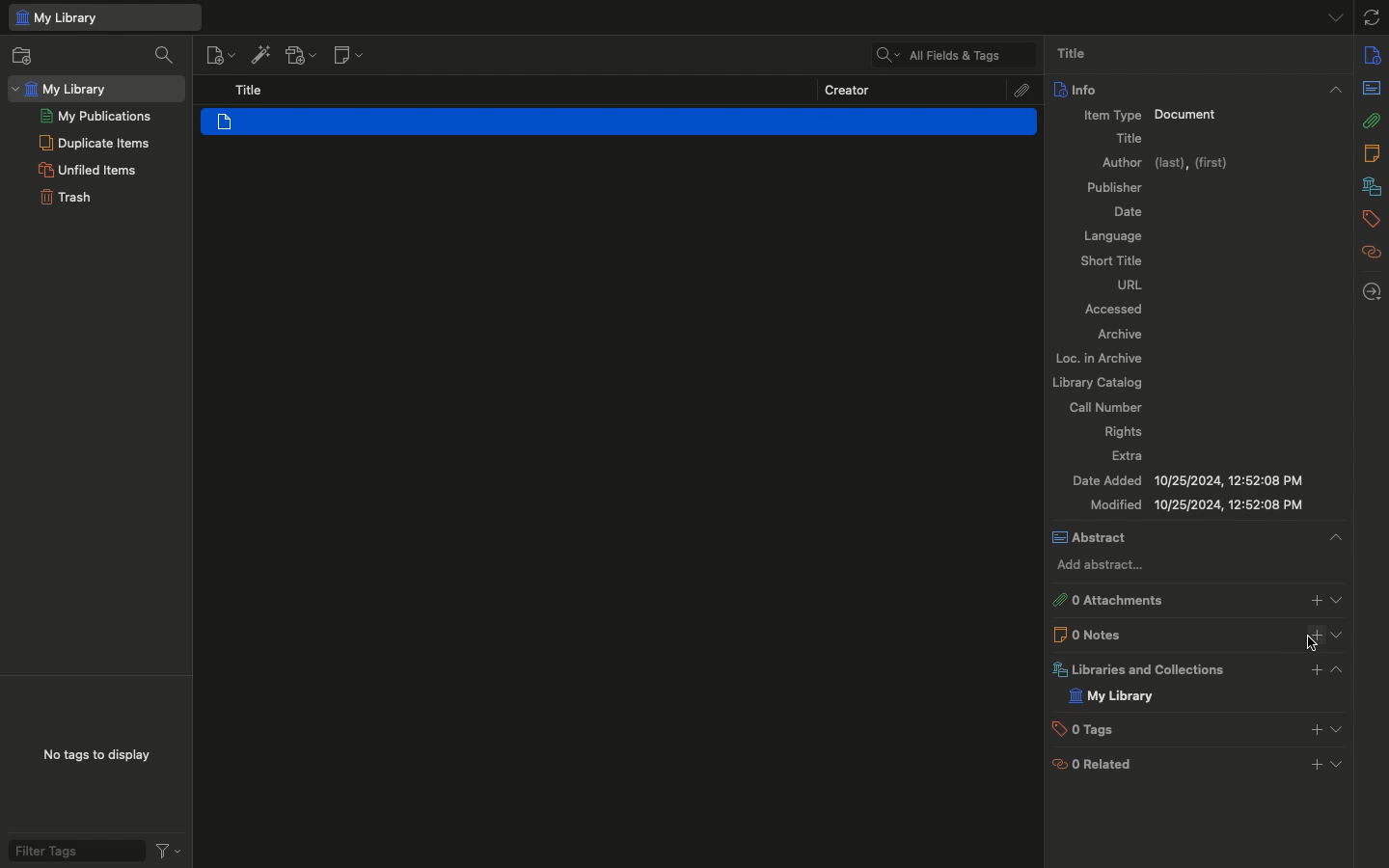 Image resolution: width=1389 pixels, height=868 pixels. What do you see at coordinates (1023, 90) in the screenshot?
I see `Attachments` at bounding box center [1023, 90].